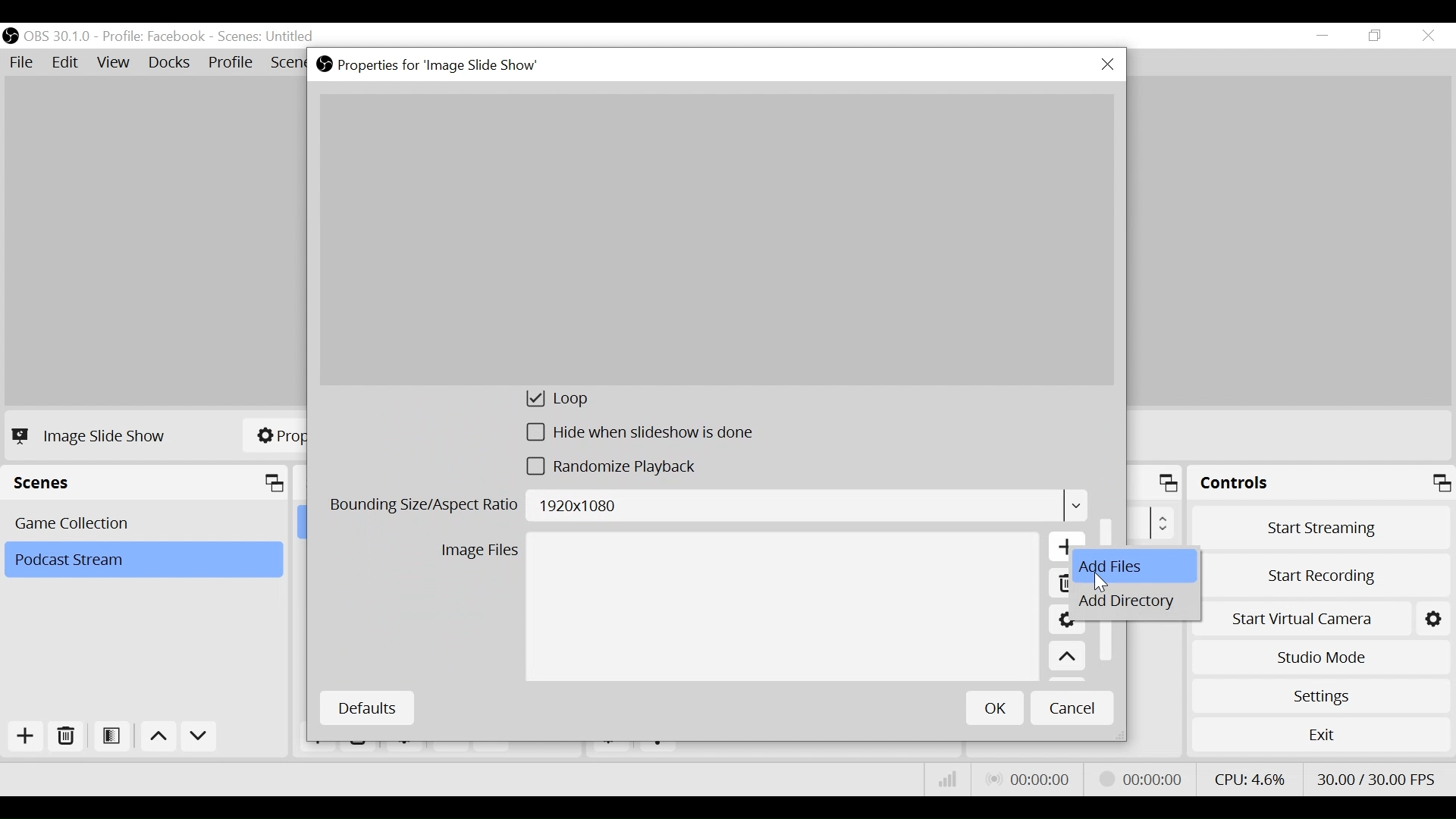  I want to click on Studio Mode, so click(1321, 655).